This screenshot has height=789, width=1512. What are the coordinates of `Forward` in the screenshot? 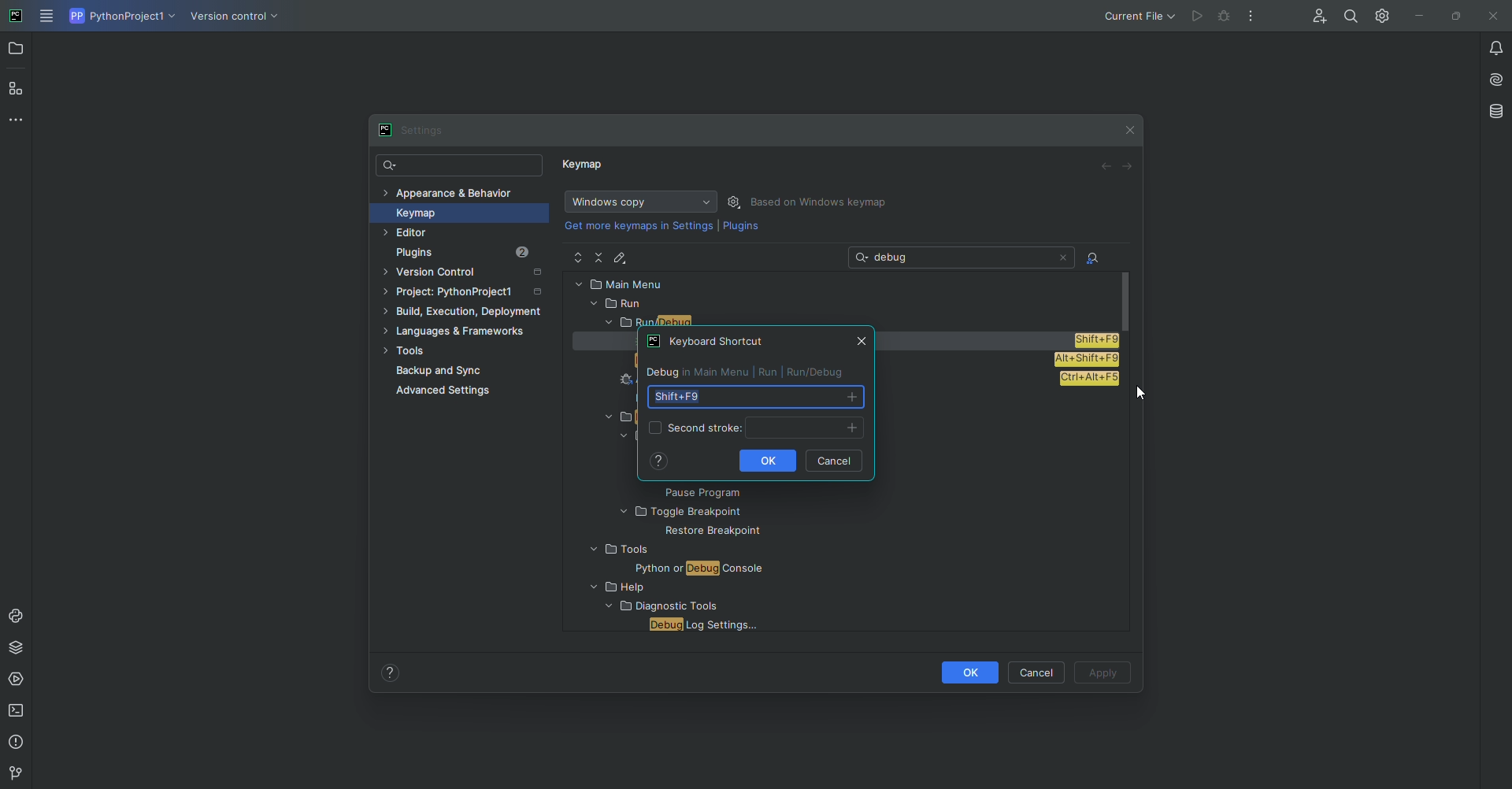 It's located at (1128, 166).